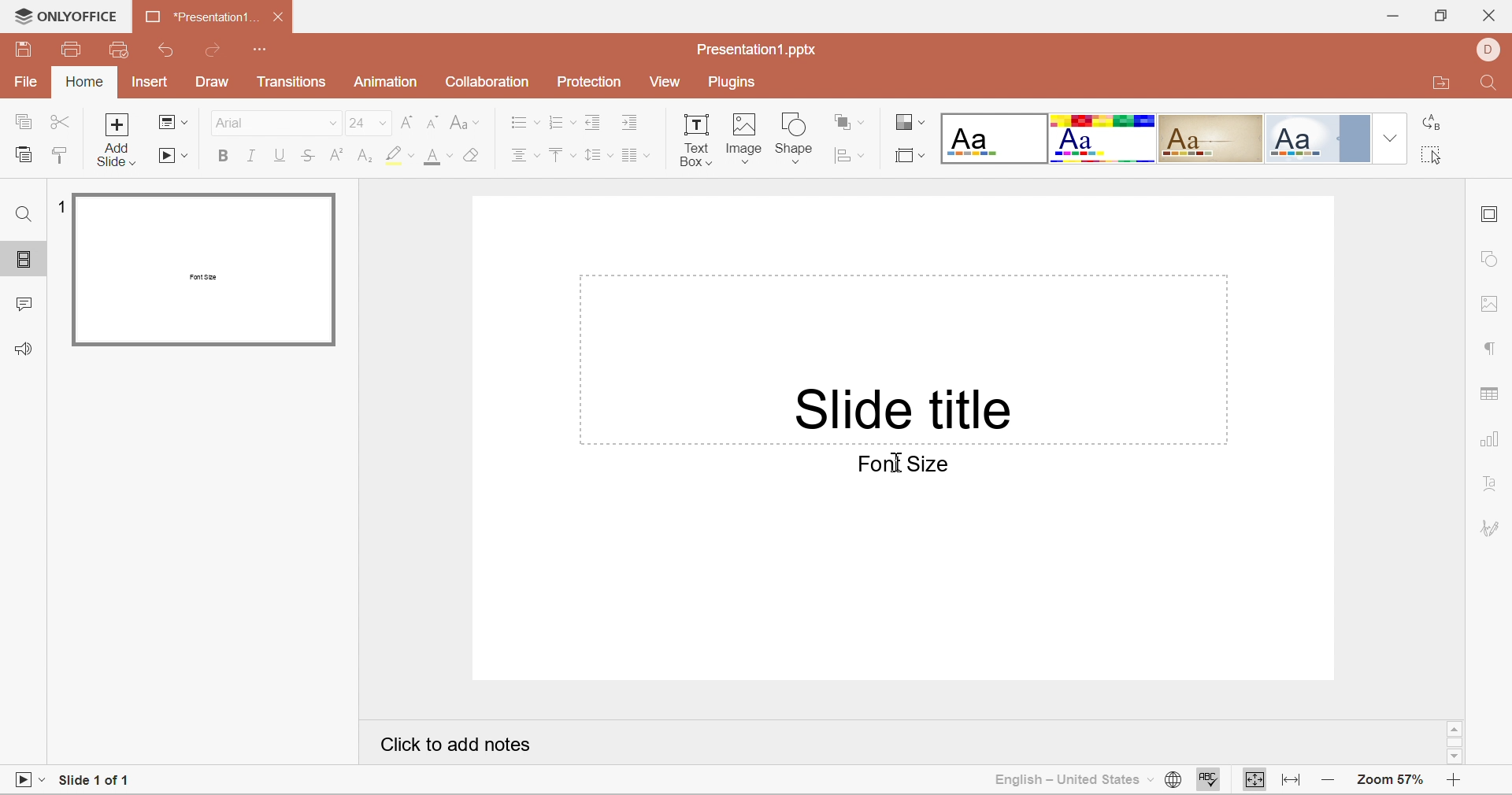 This screenshot has width=1512, height=795. I want to click on ONLYOFFICE, so click(80, 16).